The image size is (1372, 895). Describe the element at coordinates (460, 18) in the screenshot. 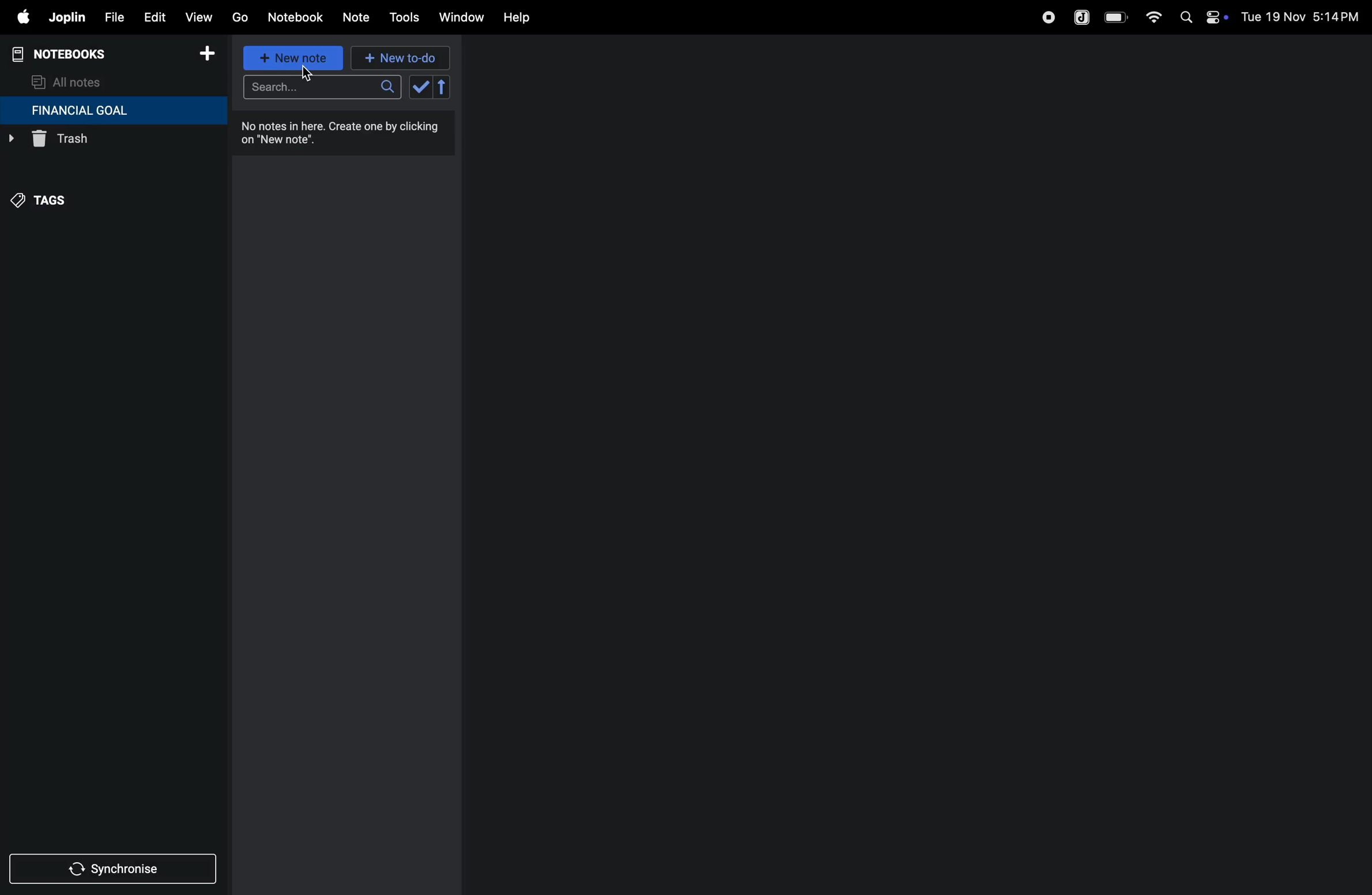

I see `window` at that location.